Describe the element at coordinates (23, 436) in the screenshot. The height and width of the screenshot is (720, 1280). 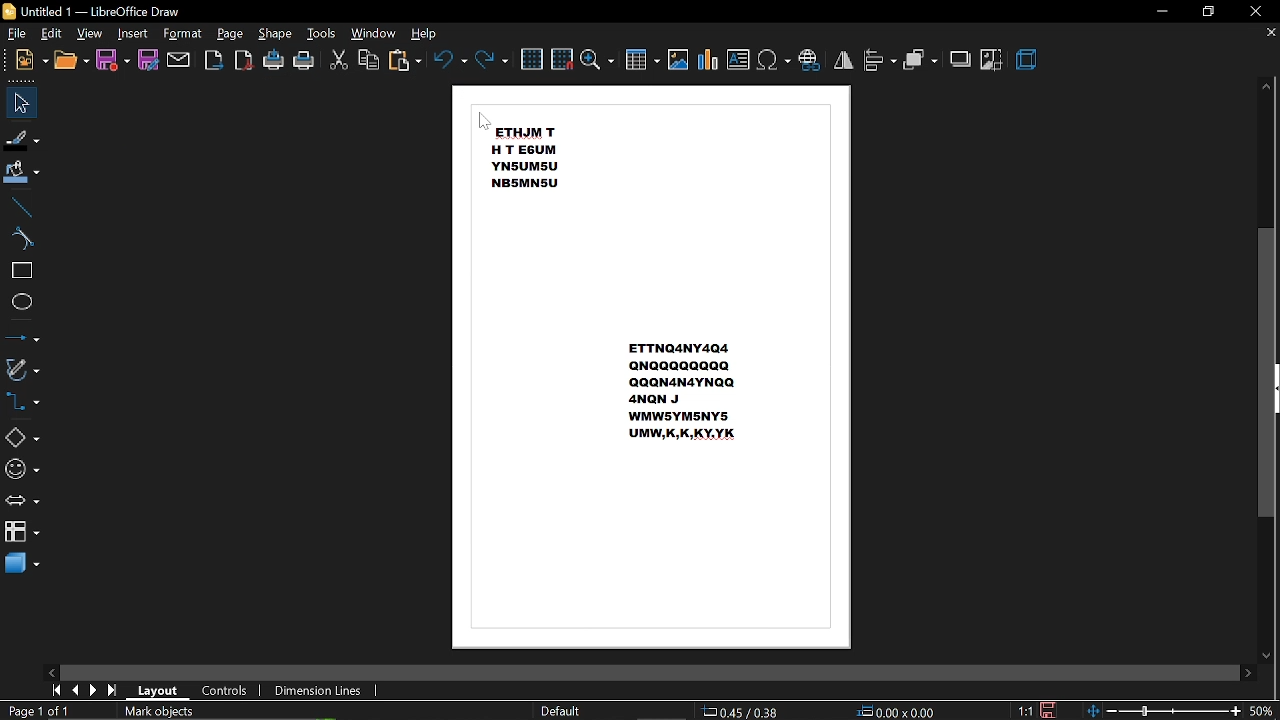
I see `basic shapes` at that location.